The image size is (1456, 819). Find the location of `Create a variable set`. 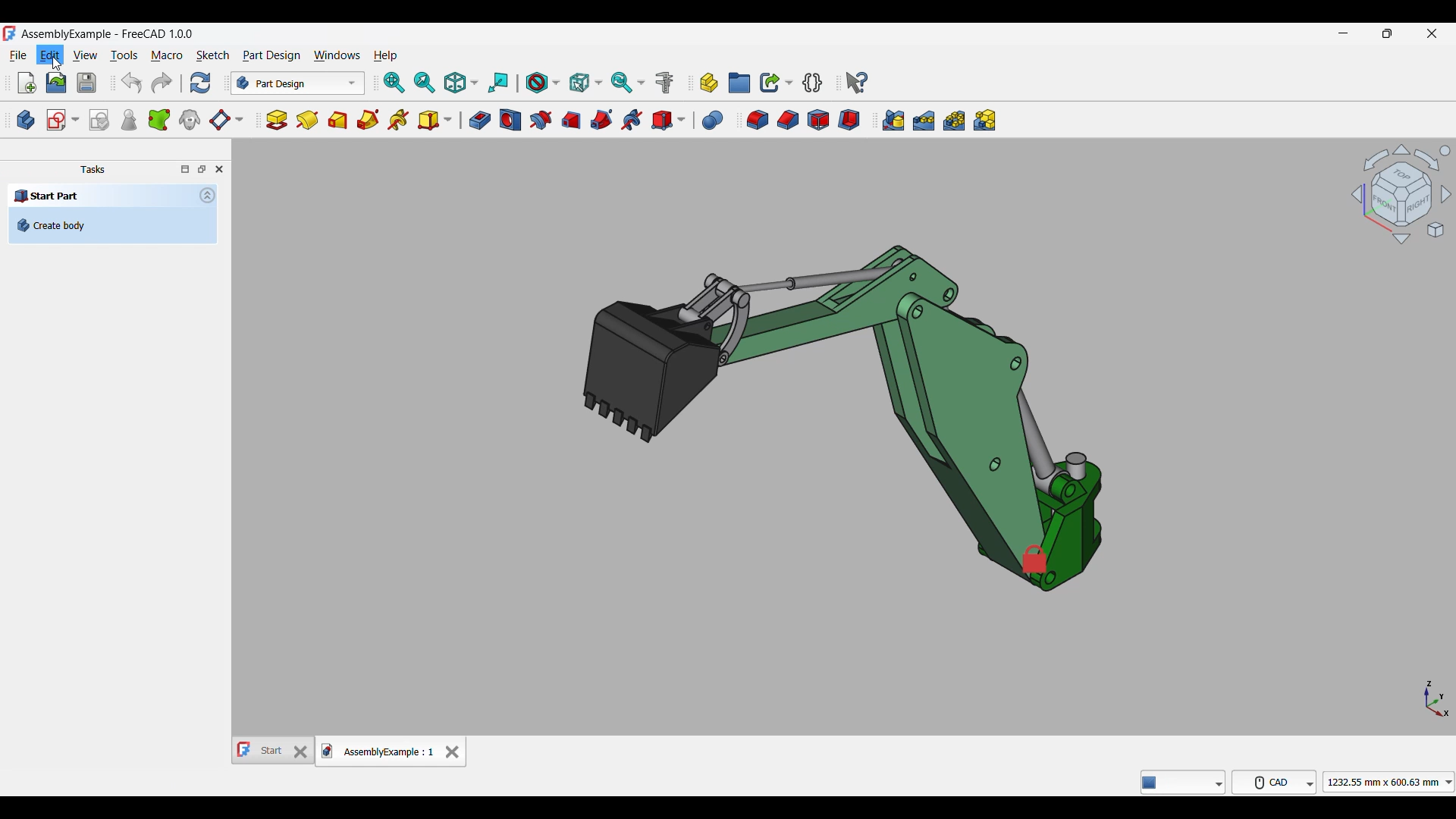

Create a variable set is located at coordinates (813, 82).